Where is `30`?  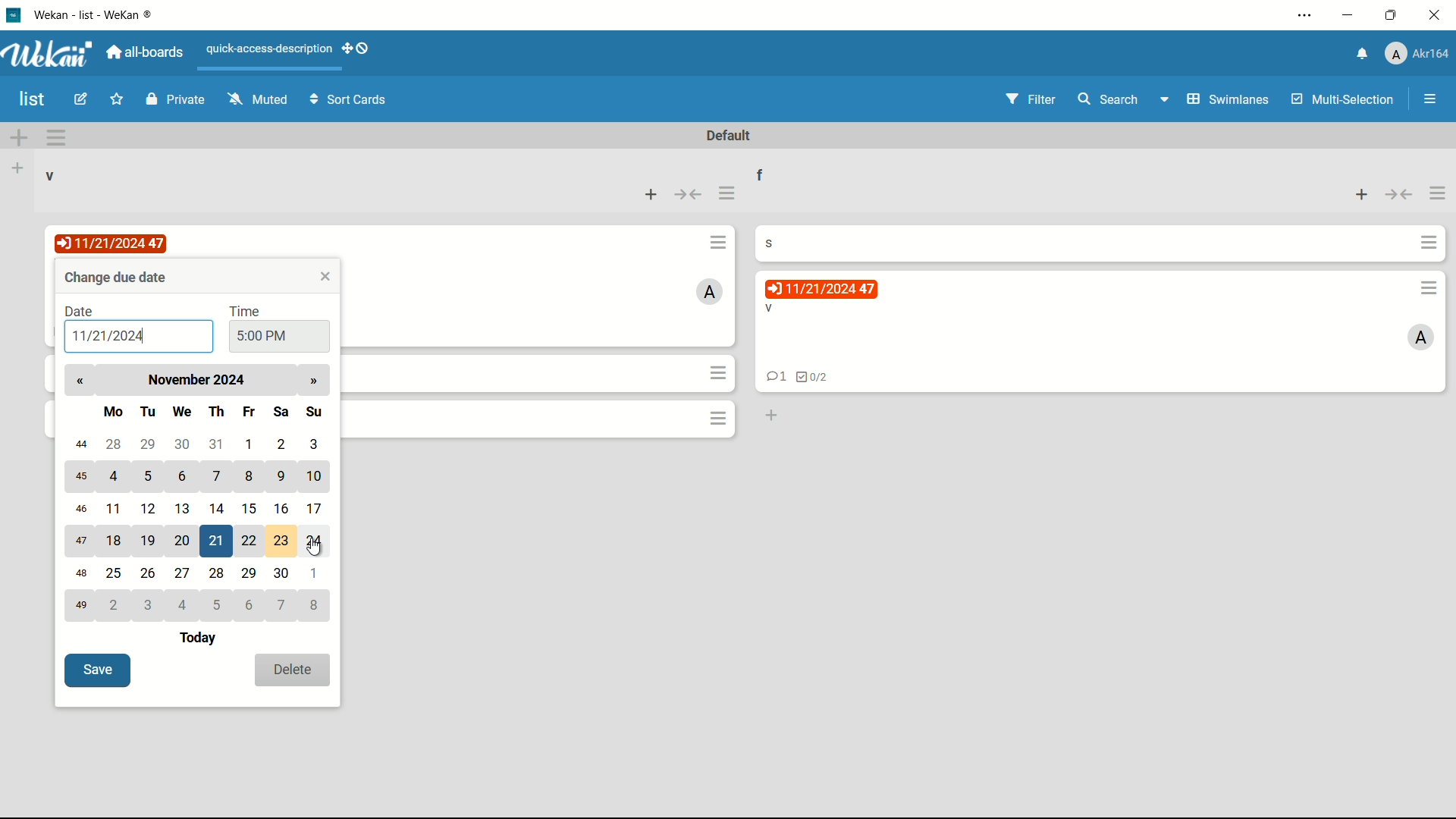
30 is located at coordinates (184, 442).